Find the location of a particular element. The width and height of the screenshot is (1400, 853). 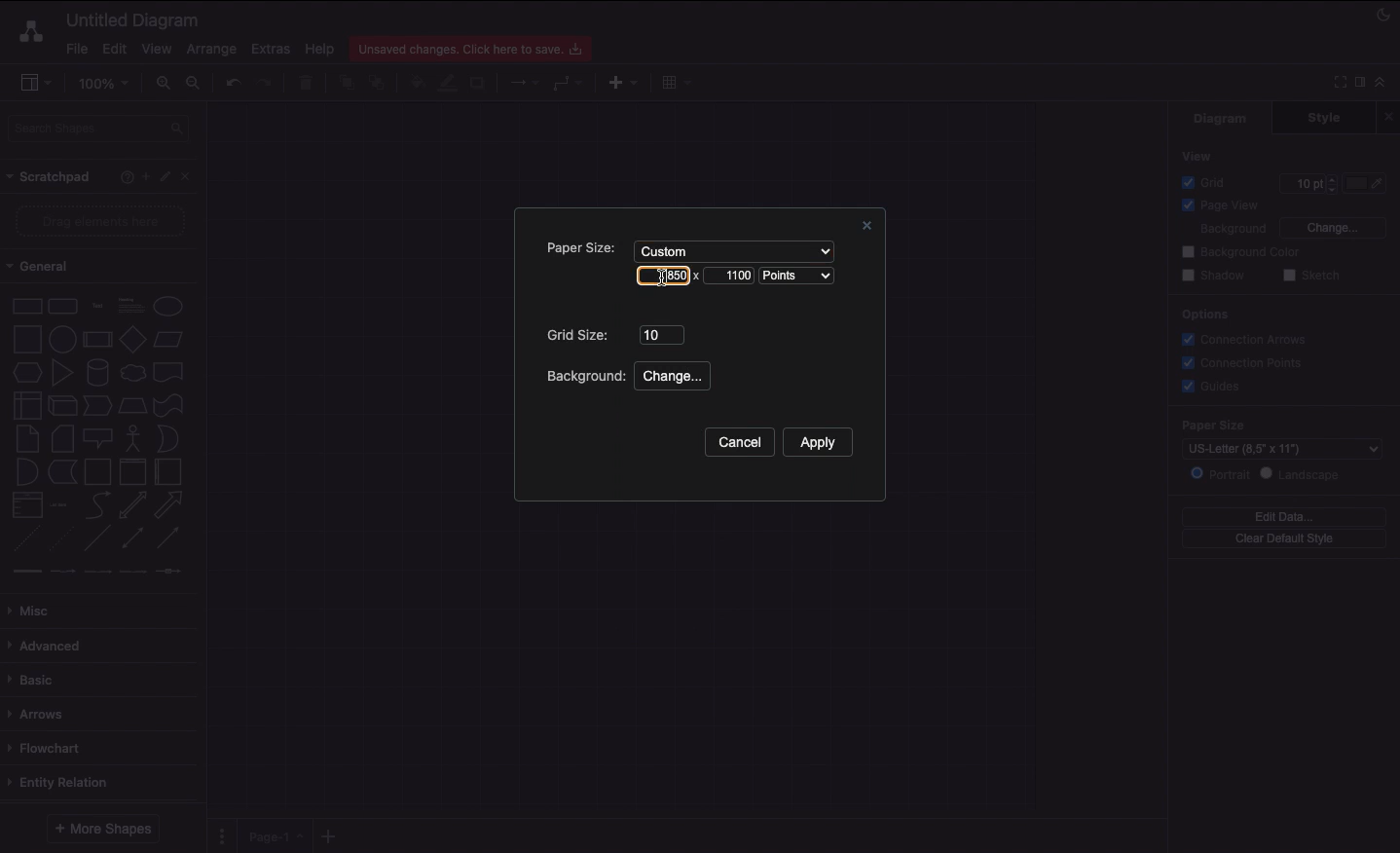

Step is located at coordinates (97, 406).